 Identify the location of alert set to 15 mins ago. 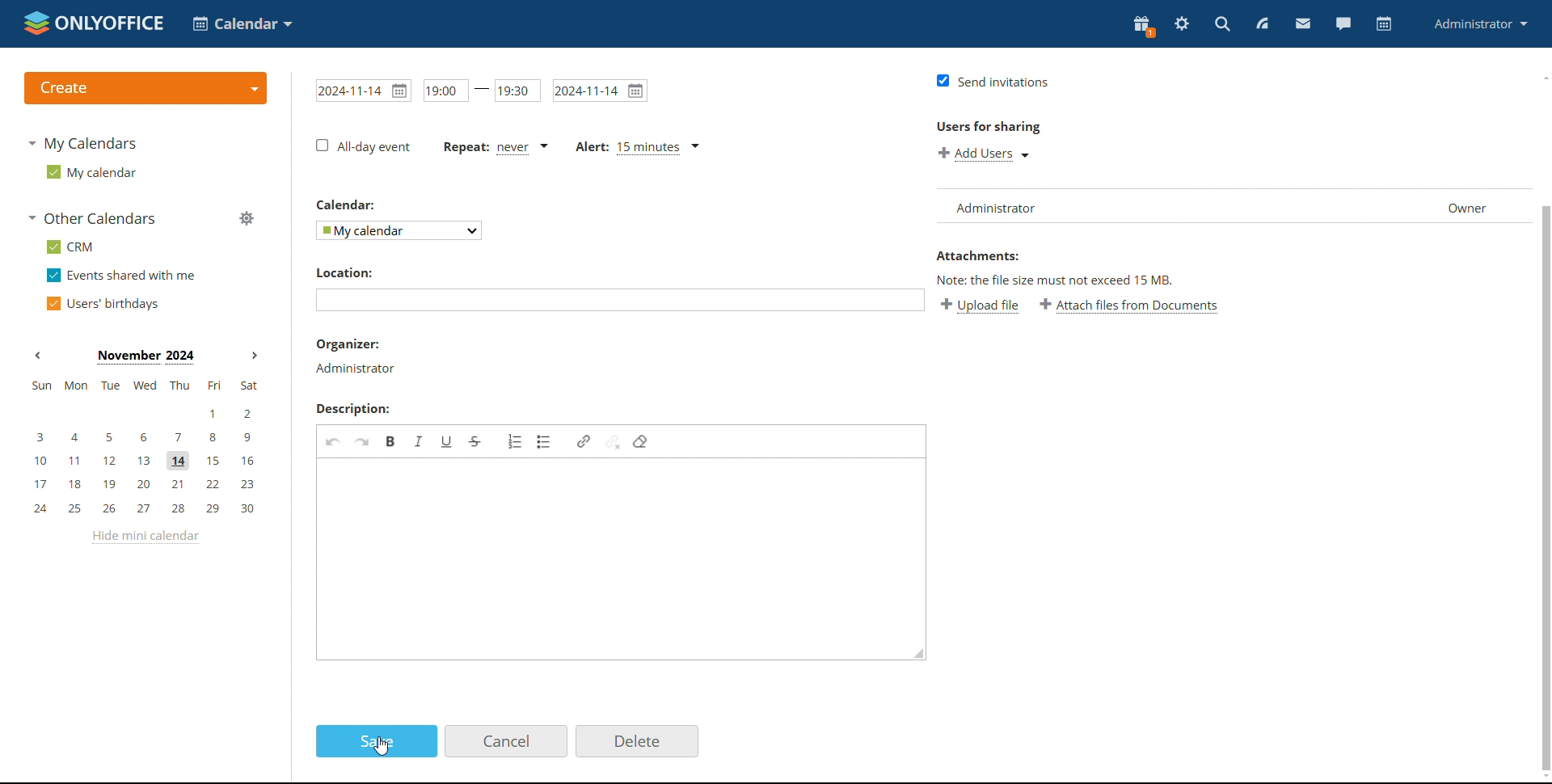
(635, 147).